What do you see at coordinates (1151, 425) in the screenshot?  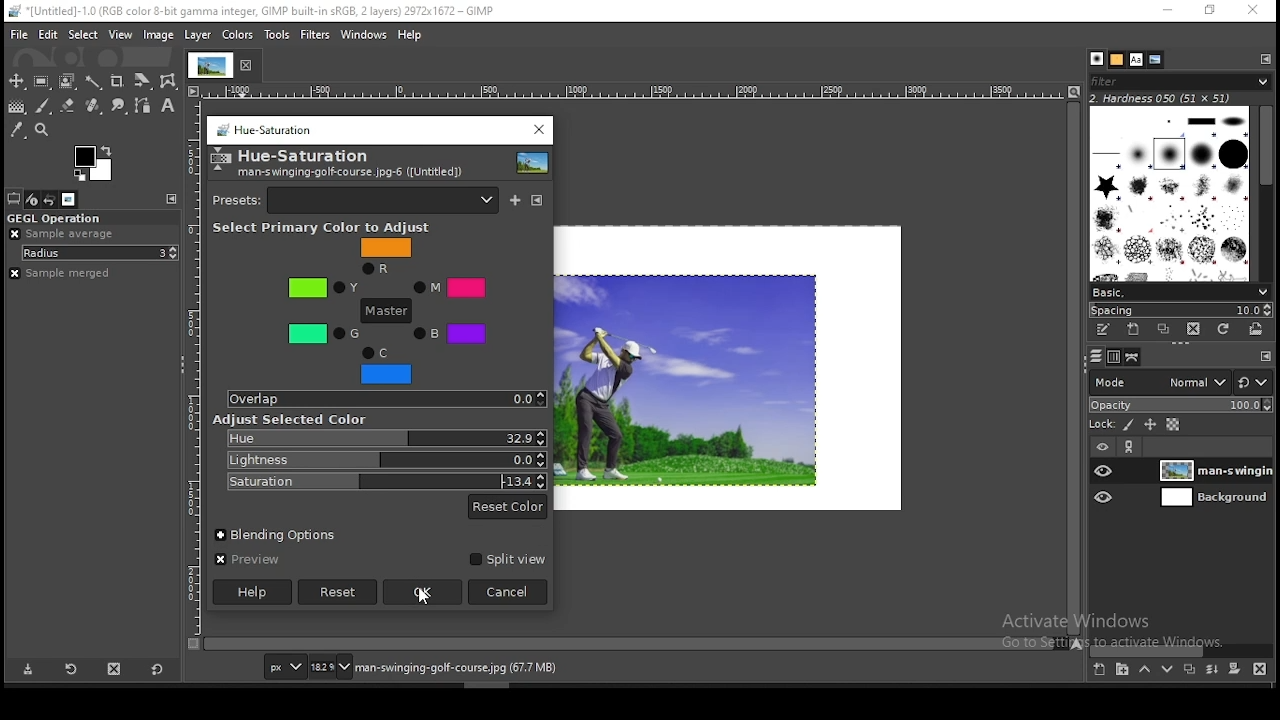 I see `lock size and position` at bounding box center [1151, 425].